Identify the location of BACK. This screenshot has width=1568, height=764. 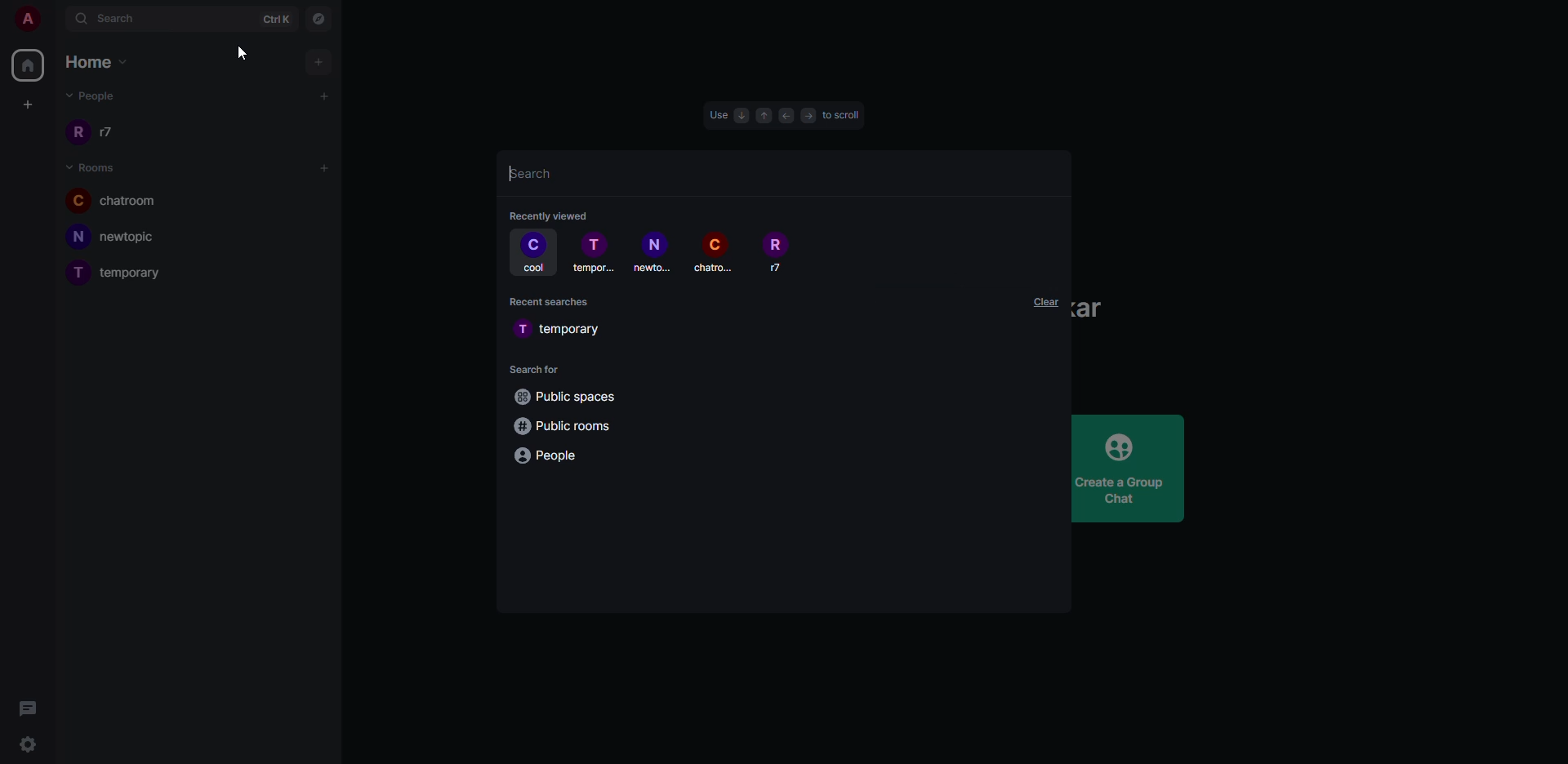
(785, 114).